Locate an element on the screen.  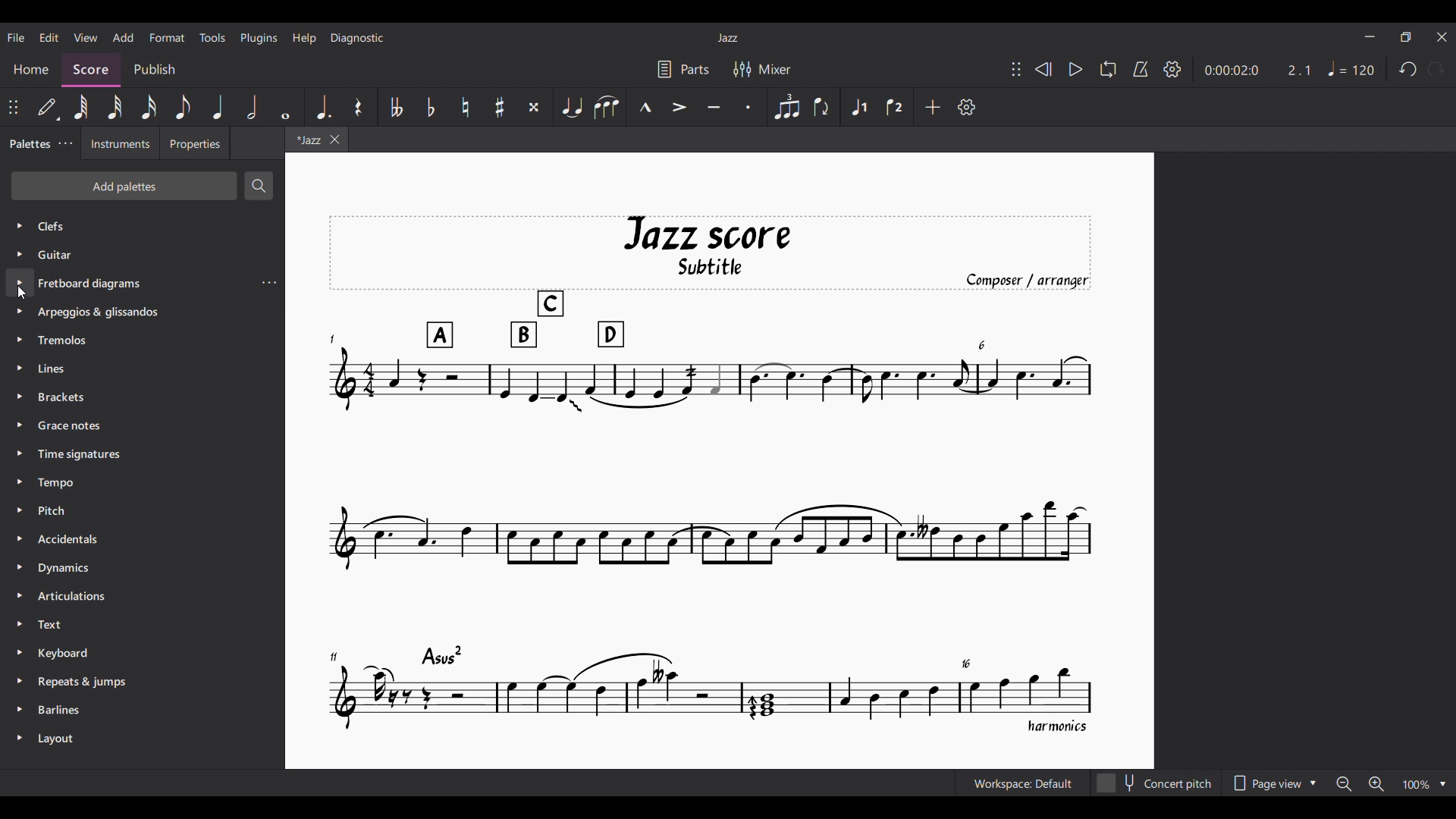
Toggle double flat is located at coordinates (395, 107).